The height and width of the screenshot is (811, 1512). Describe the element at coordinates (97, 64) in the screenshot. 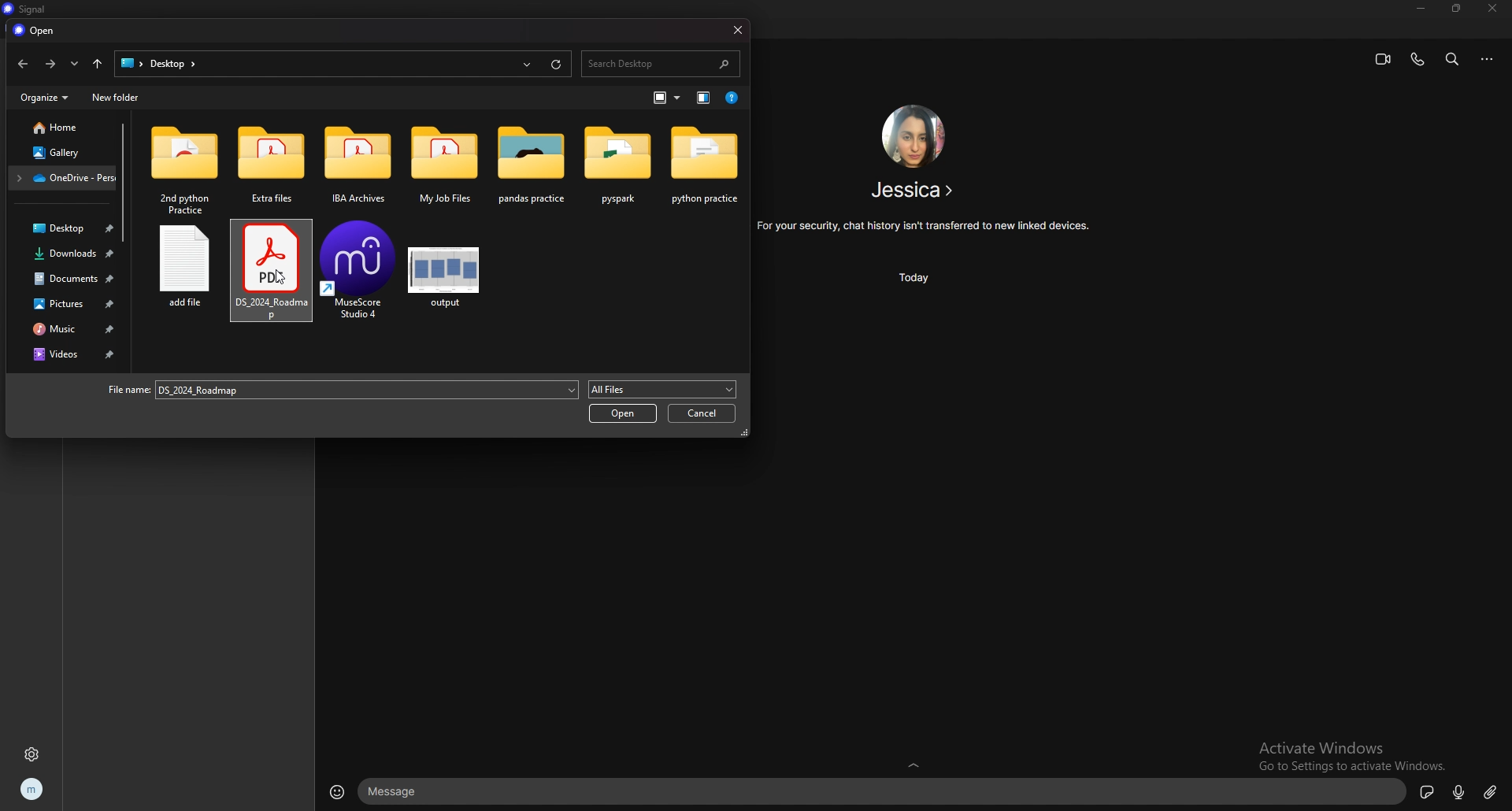

I see `upto desktop` at that location.